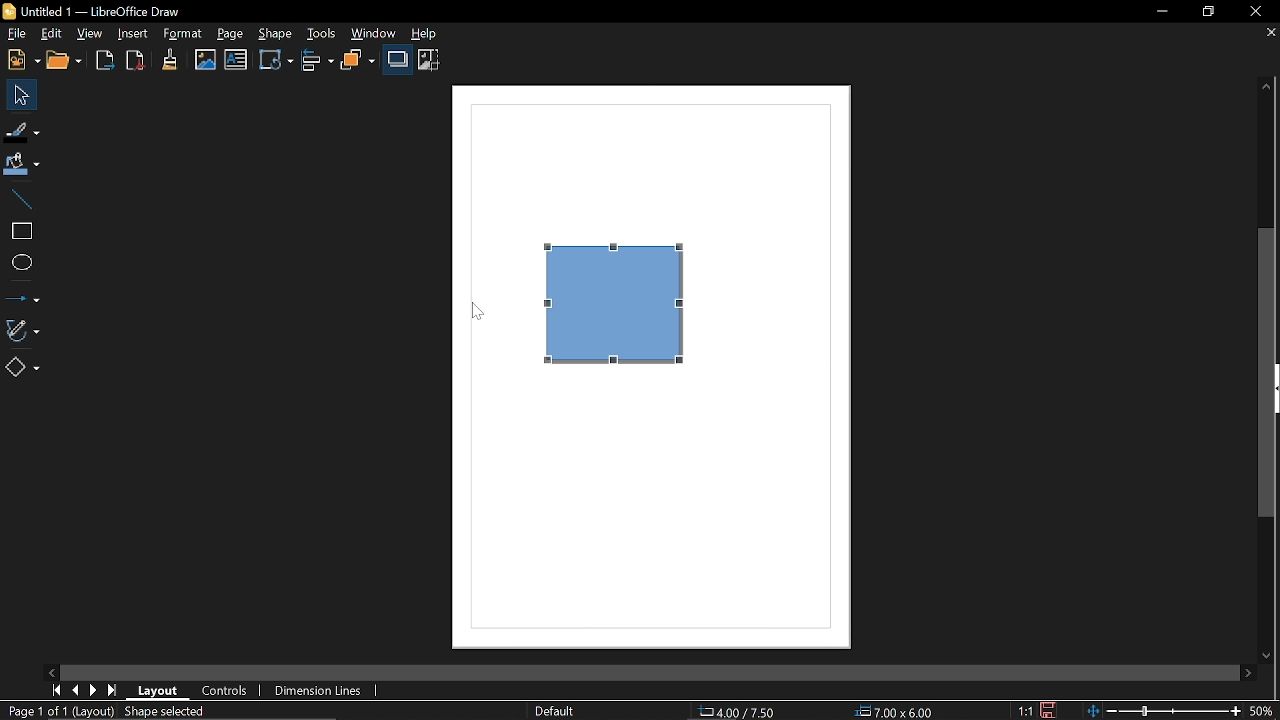 This screenshot has width=1280, height=720. What do you see at coordinates (1266, 377) in the screenshot?
I see `Vertical scrollbar` at bounding box center [1266, 377].